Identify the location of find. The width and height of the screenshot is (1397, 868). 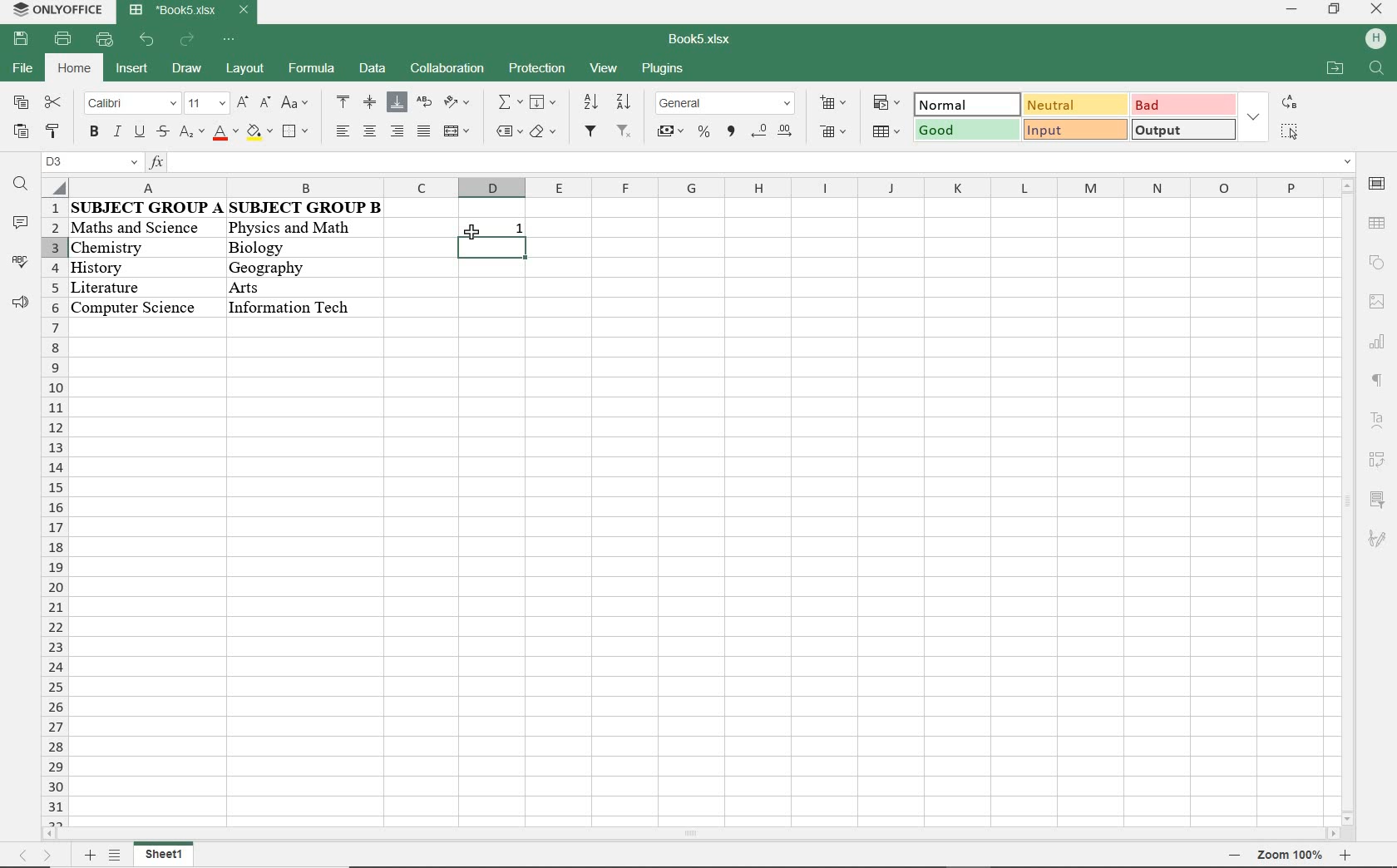
(20, 184).